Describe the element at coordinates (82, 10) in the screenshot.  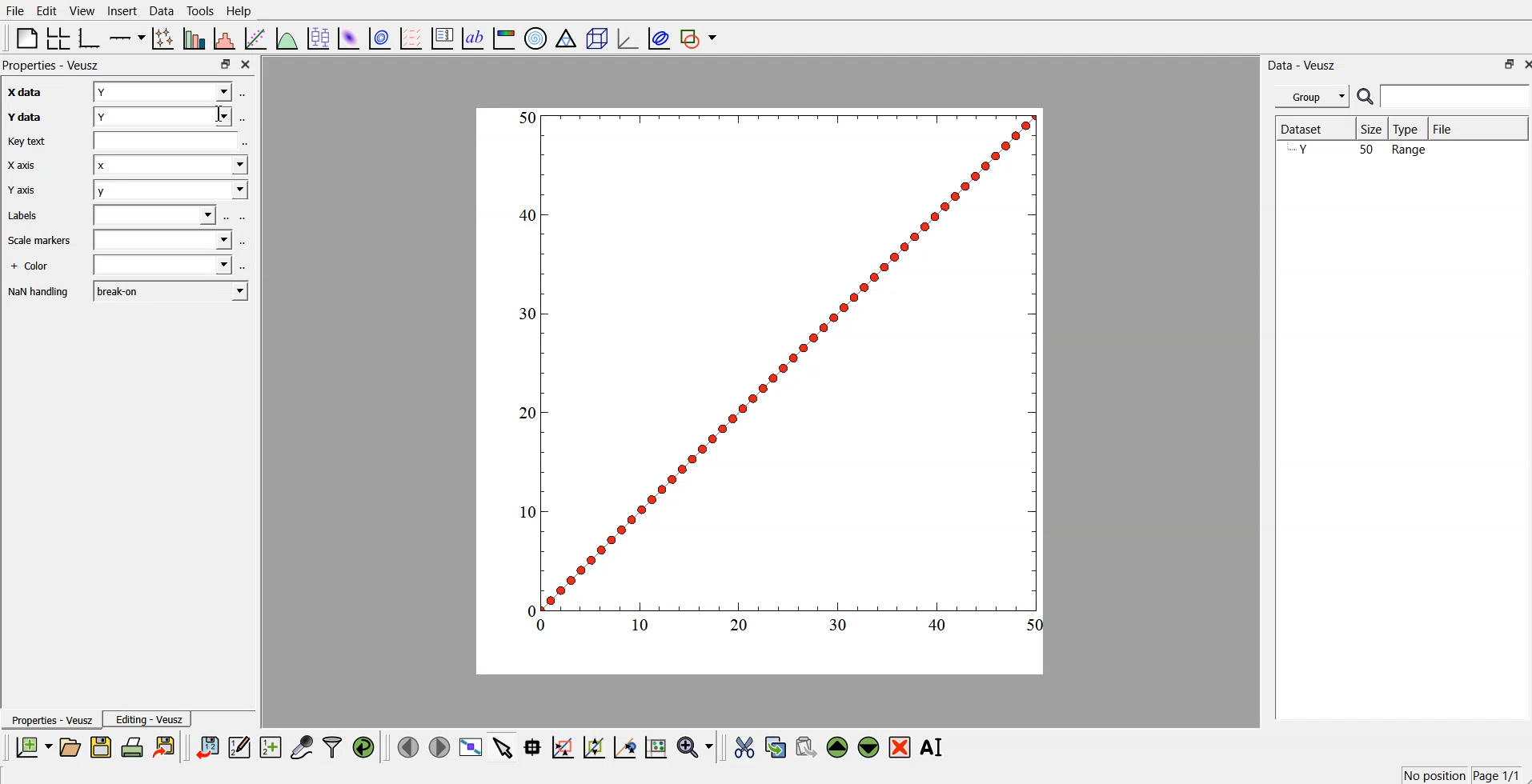
I see `View` at that location.